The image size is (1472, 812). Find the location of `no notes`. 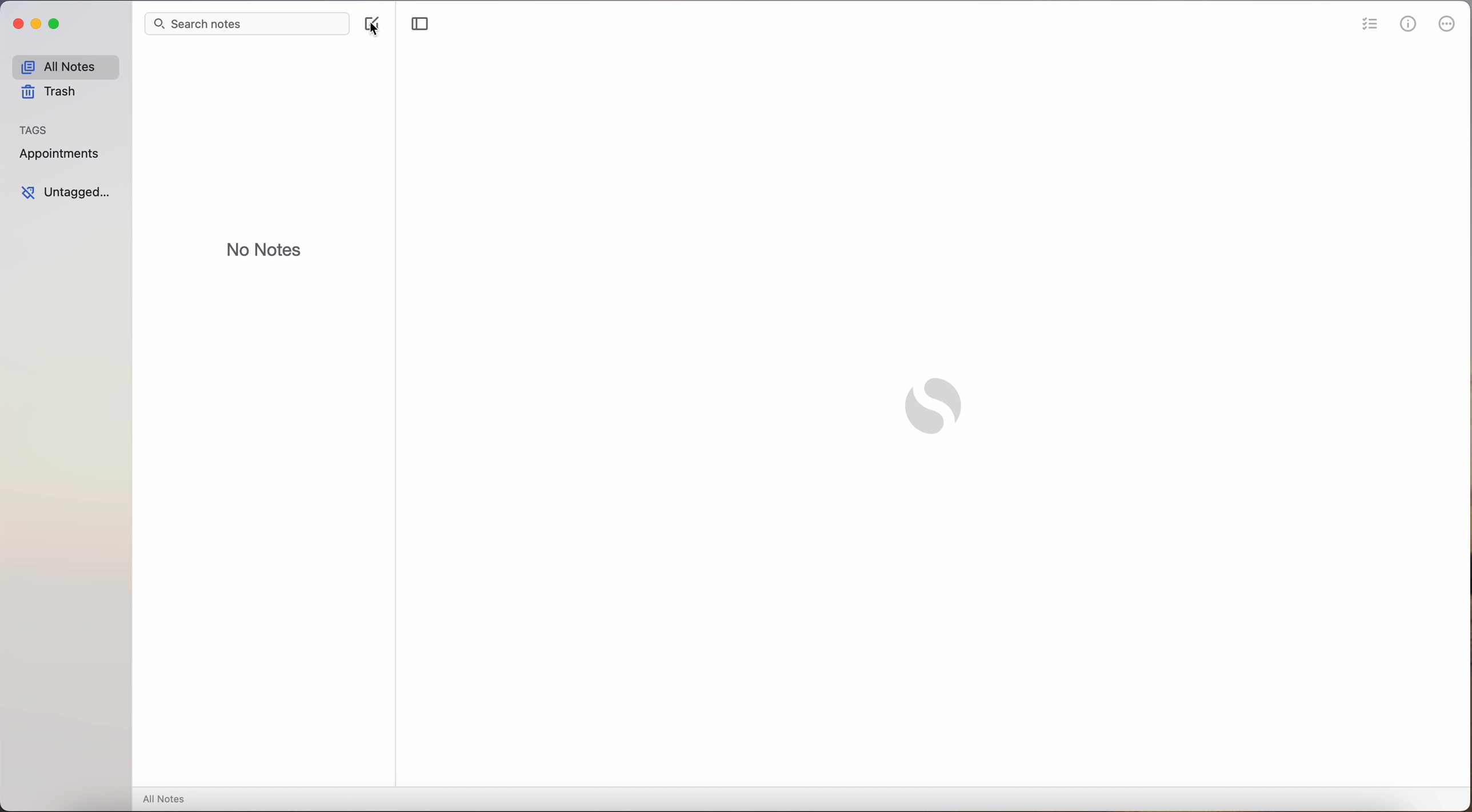

no notes is located at coordinates (267, 249).